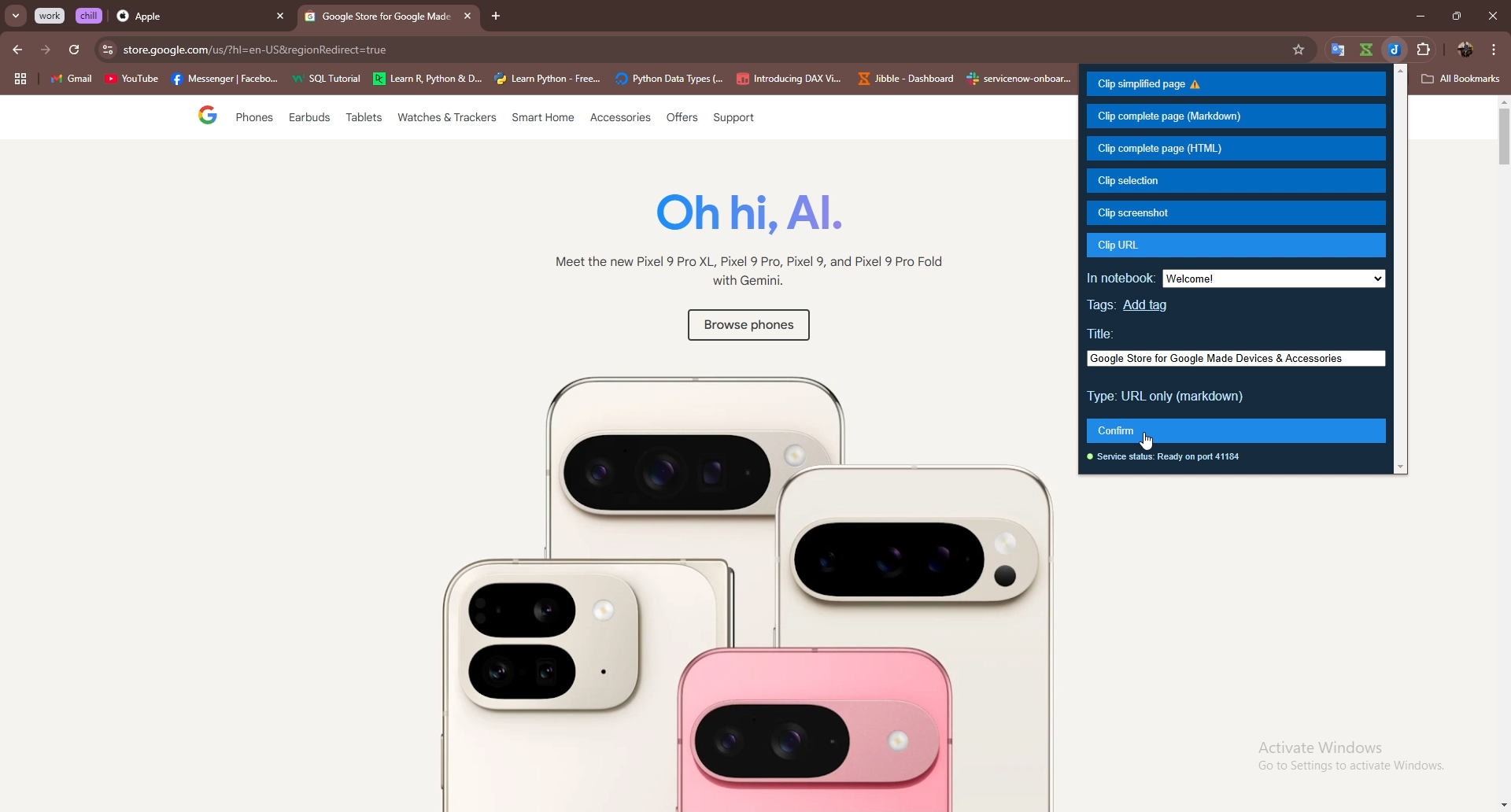 The width and height of the screenshot is (1511, 812). What do you see at coordinates (1232, 357) in the screenshot?
I see `jl Google Store for (Google Made Devices & Accessories` at bounding box center [1232, 357].